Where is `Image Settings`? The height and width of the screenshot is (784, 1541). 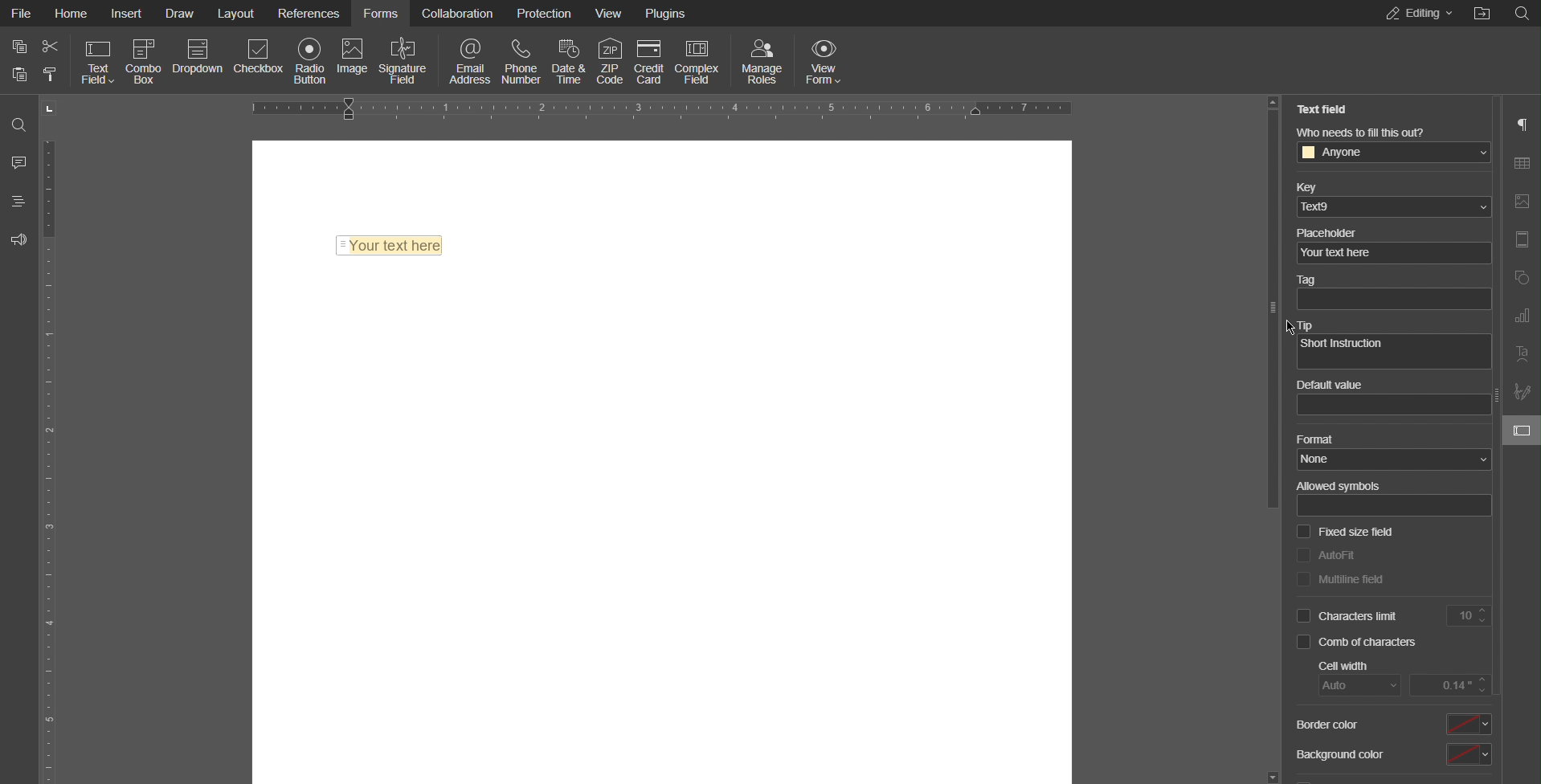 Image Settings is located at coordinates (1519, 200).